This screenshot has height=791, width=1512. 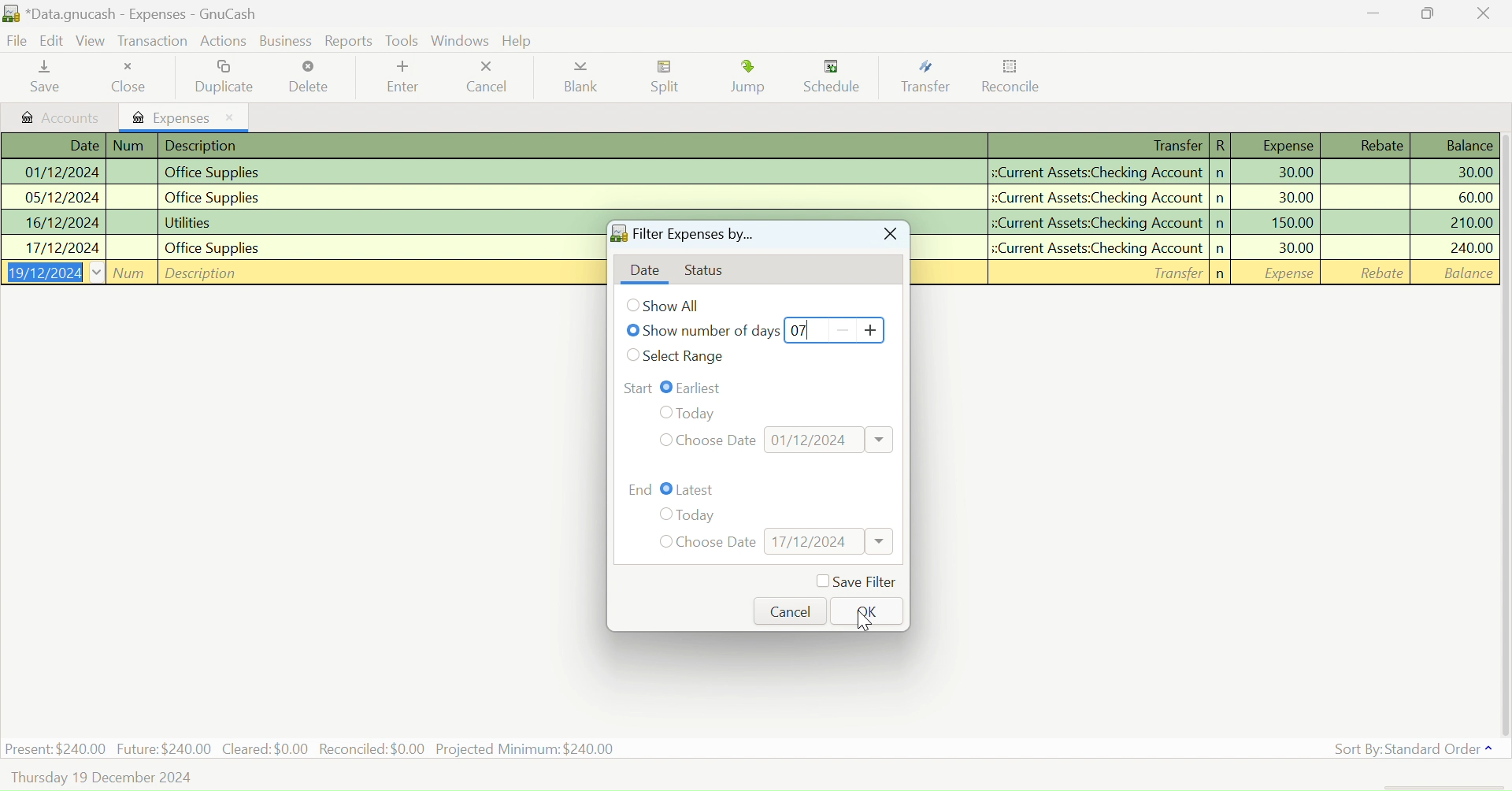 What do you see at coordinates (663, 412) in the screenshot?
I see `Checkbox` at bounding box center [663, 412].